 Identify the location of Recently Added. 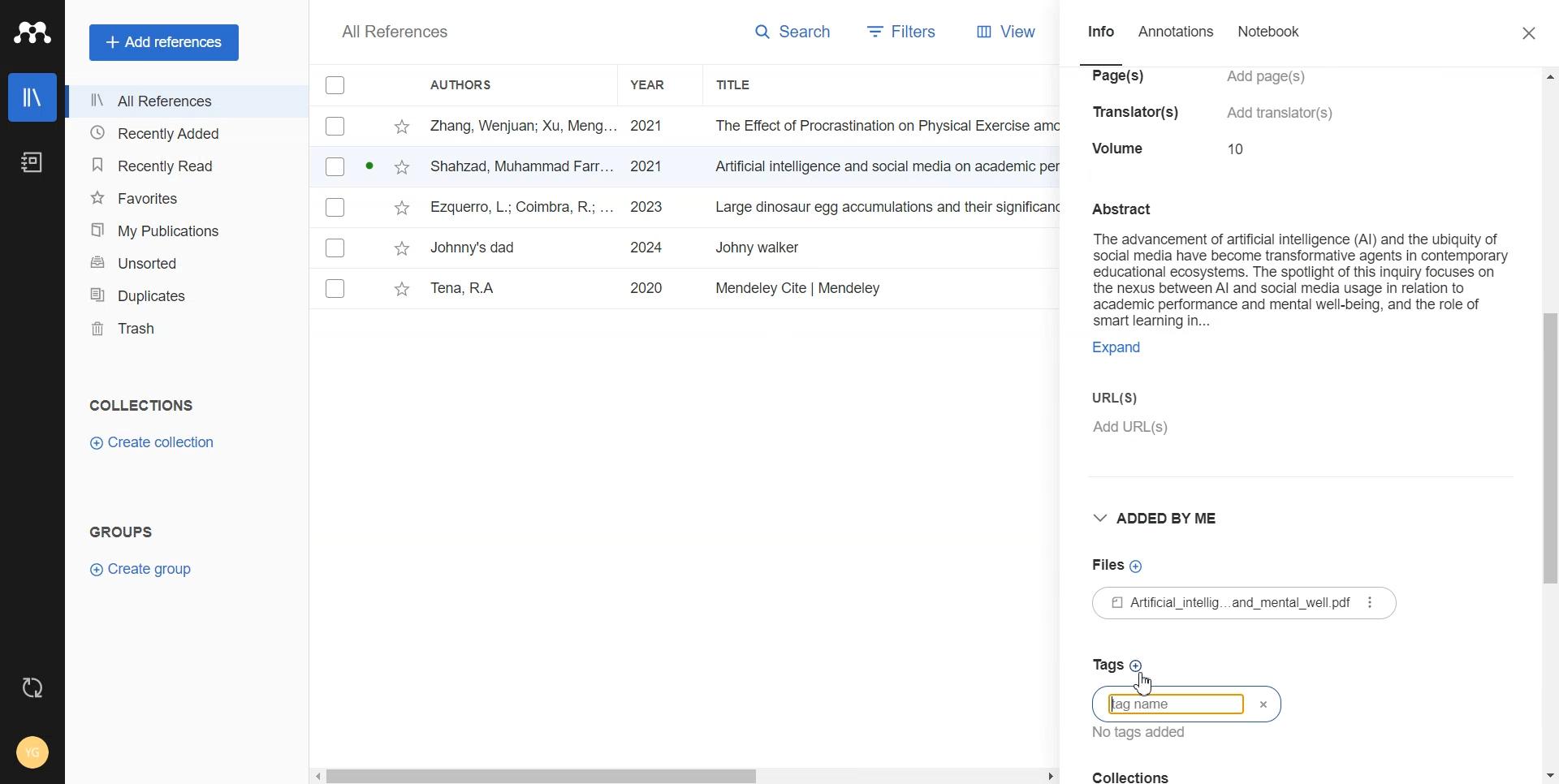
(184, 134).